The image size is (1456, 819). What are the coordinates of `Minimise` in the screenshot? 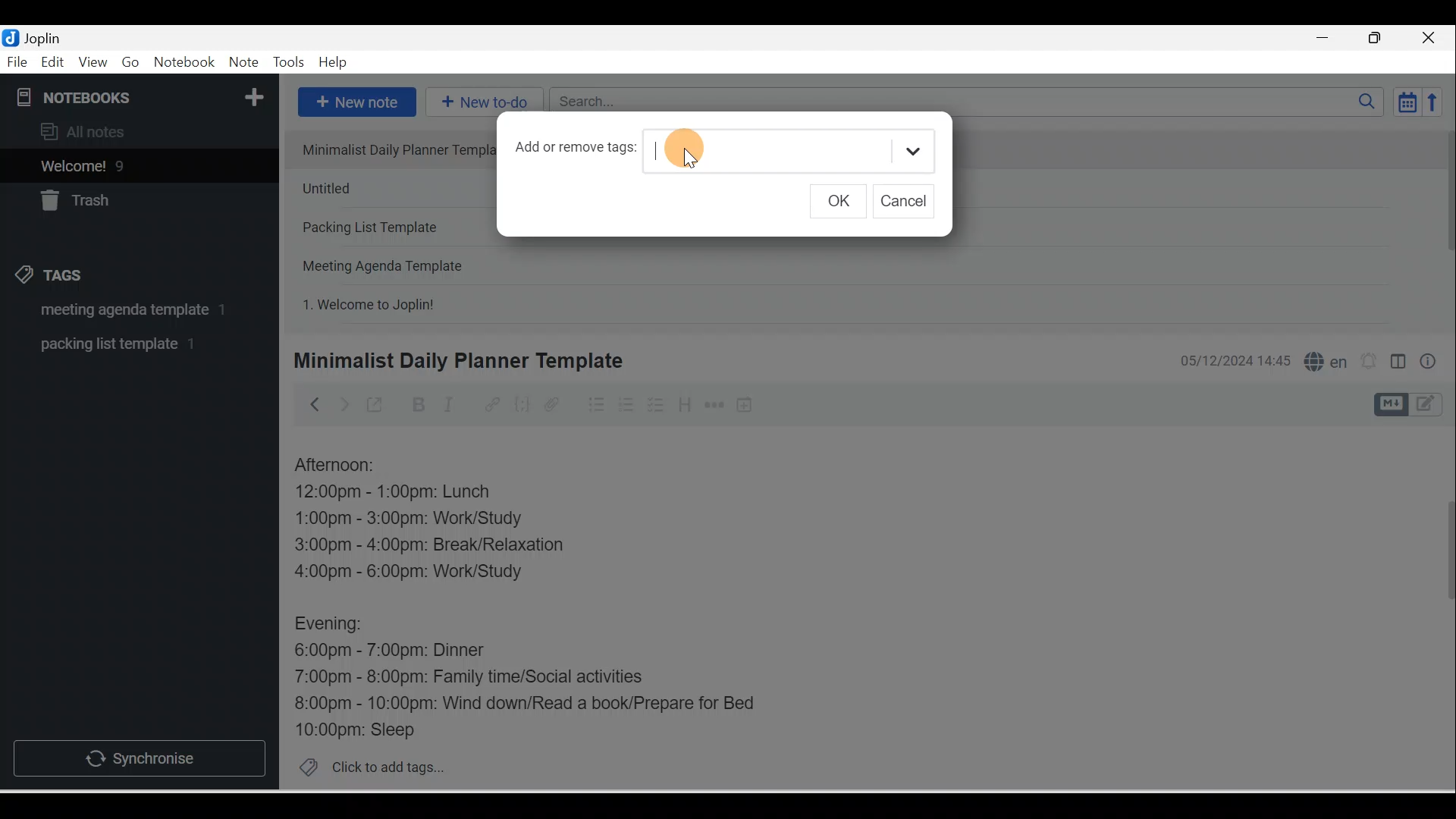 It's located at (1327, 39).